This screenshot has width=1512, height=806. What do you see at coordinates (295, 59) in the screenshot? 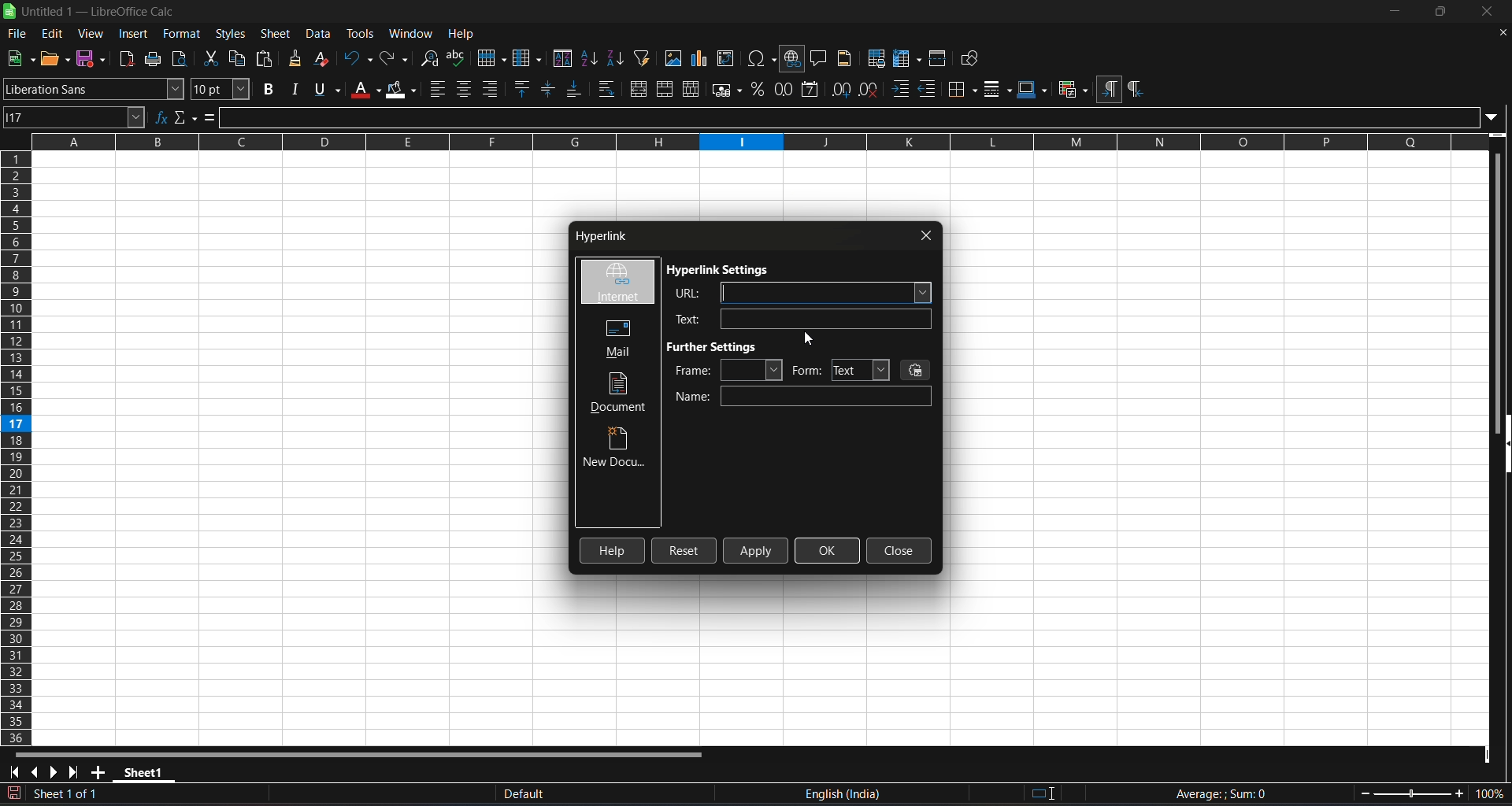
I see `clone formating` at bounding box center [295, 59].